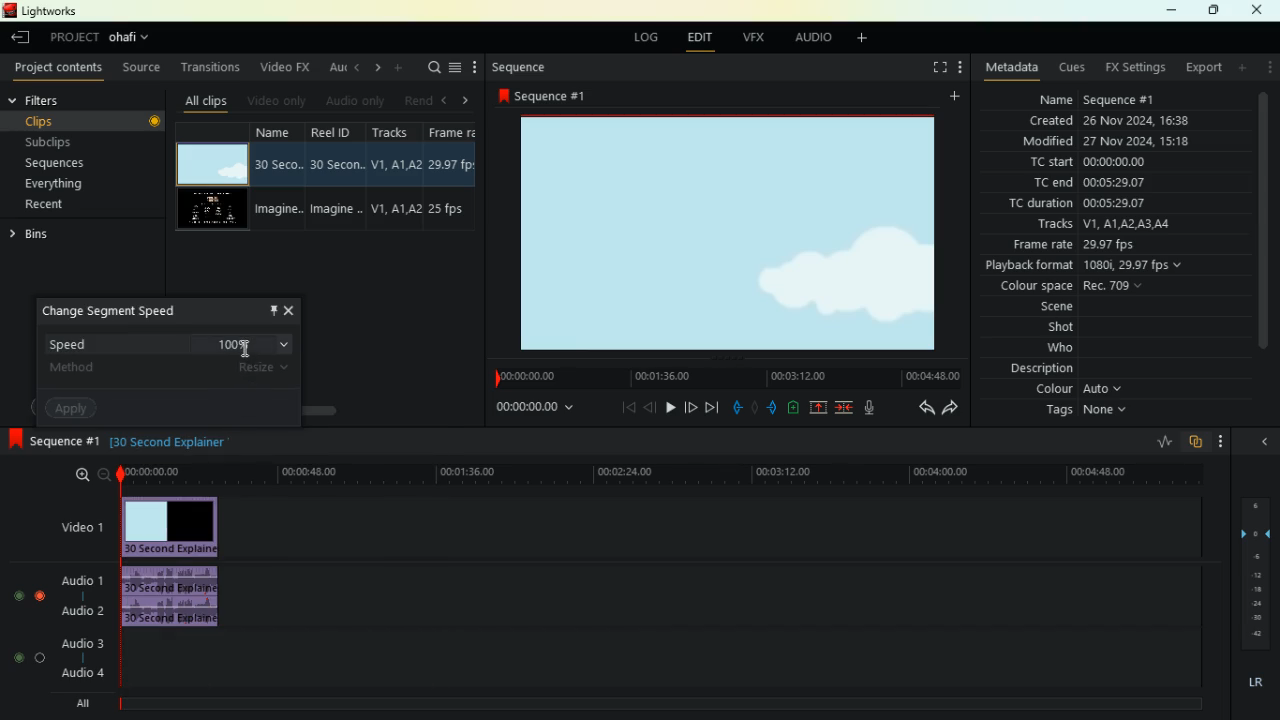 This screenshot has height=720, width=1280. Describe the element at coordinates (50, 438) in the screenshot. I see `sequence` at that location.